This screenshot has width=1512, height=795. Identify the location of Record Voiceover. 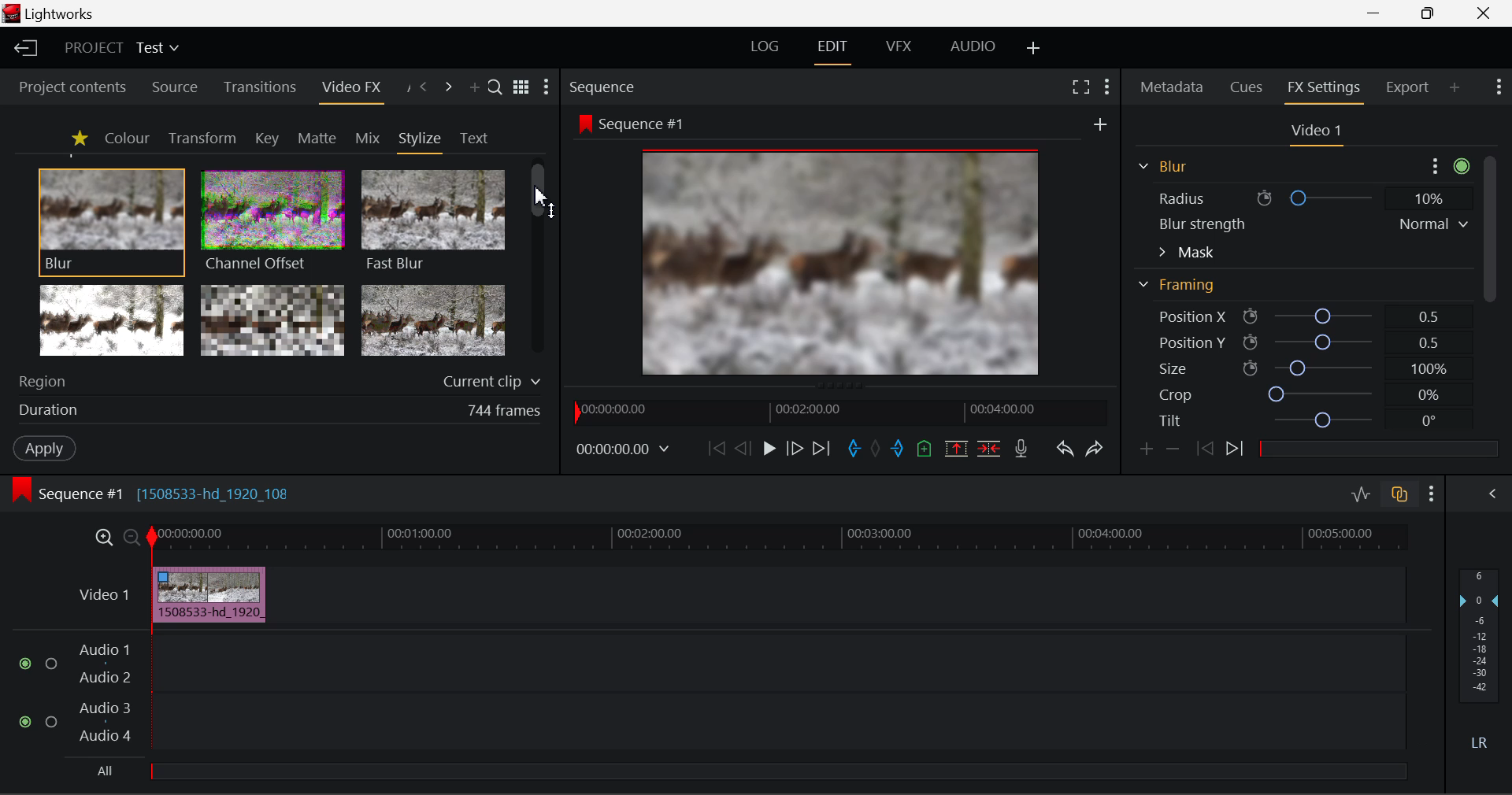
(1022, 447).